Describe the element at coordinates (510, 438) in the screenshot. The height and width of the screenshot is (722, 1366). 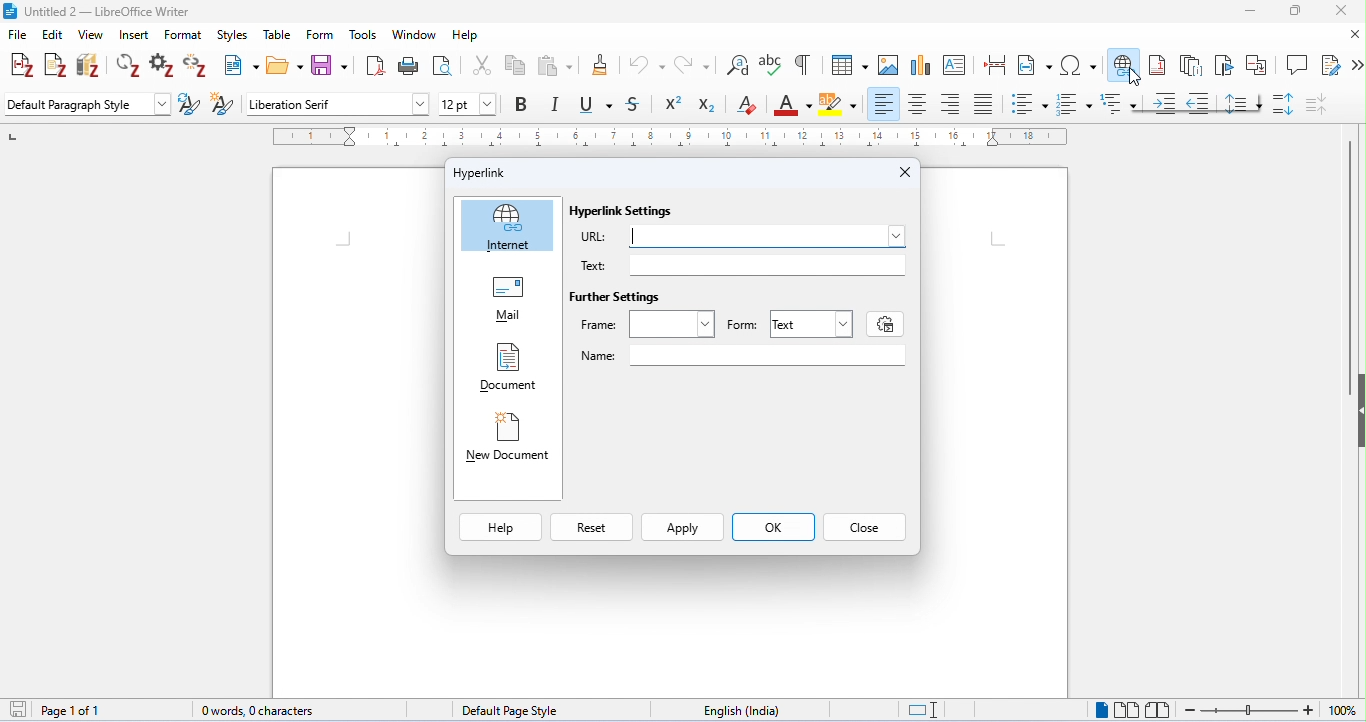
I see `New Document |` at that location.